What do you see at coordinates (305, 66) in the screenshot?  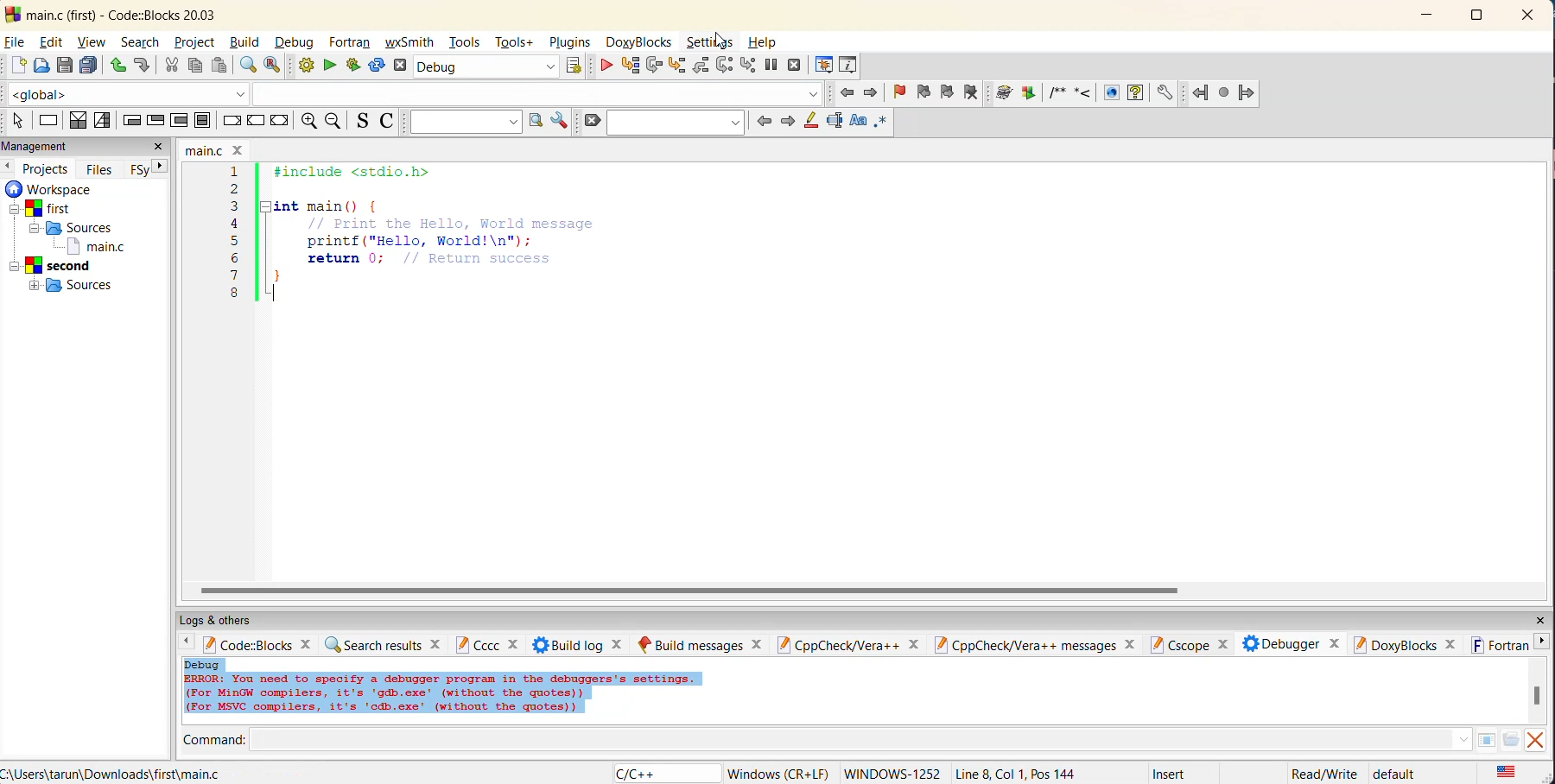 I see `build` at bounding box center [305, 66].